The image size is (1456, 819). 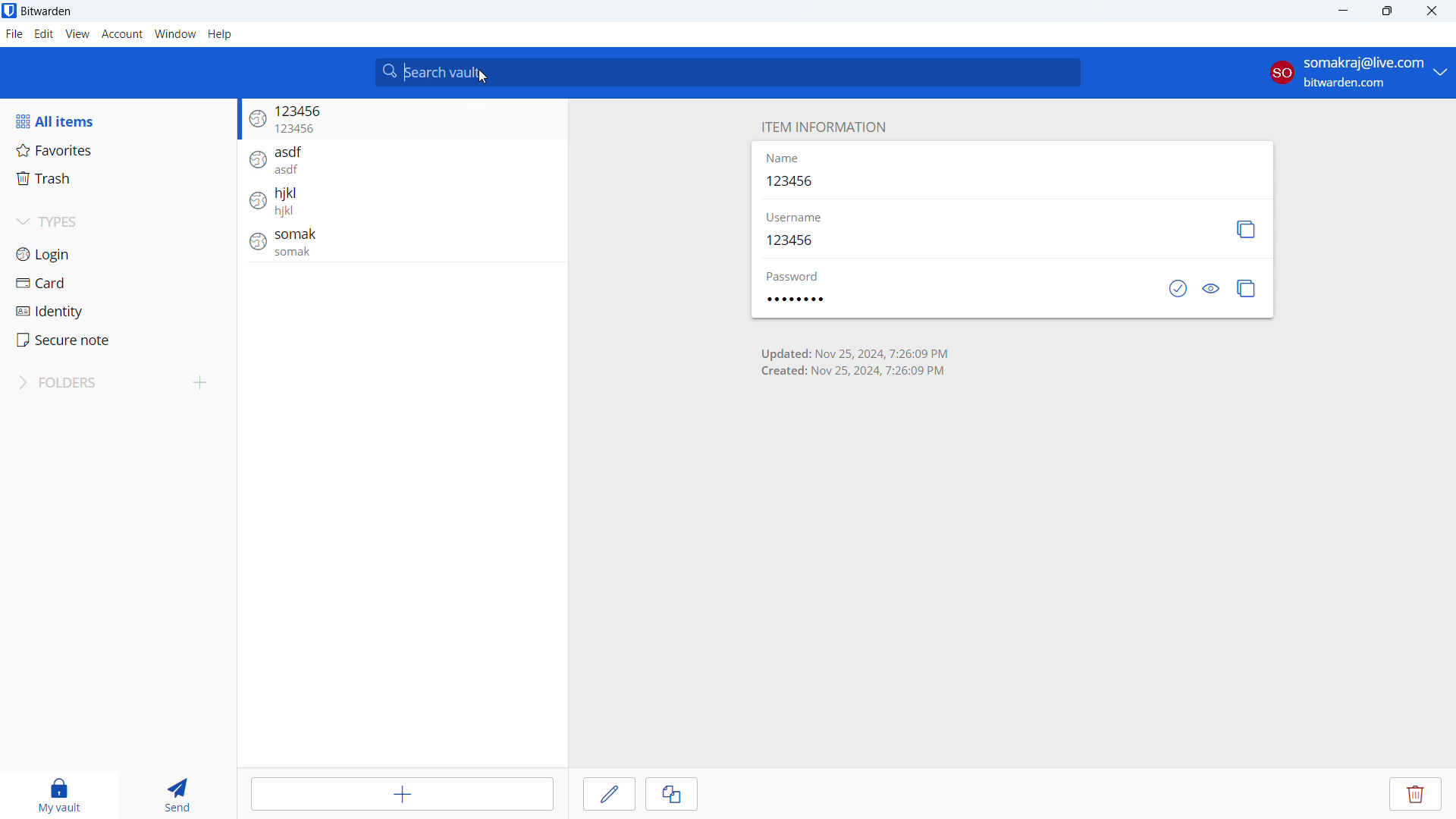 I want to click on secure note, so click(x=116, y=340).